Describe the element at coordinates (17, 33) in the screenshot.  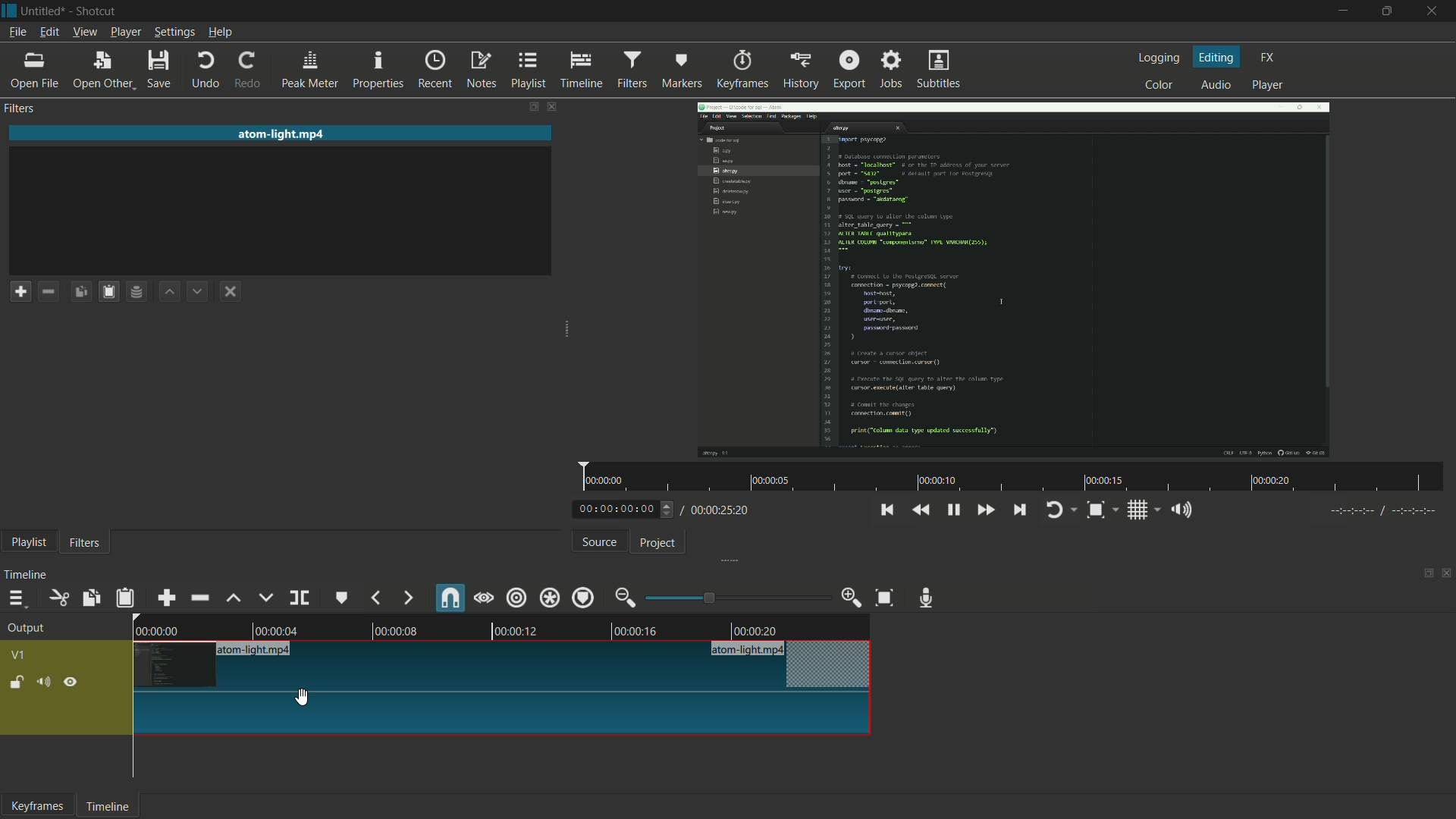
I see `file menu` at that location.